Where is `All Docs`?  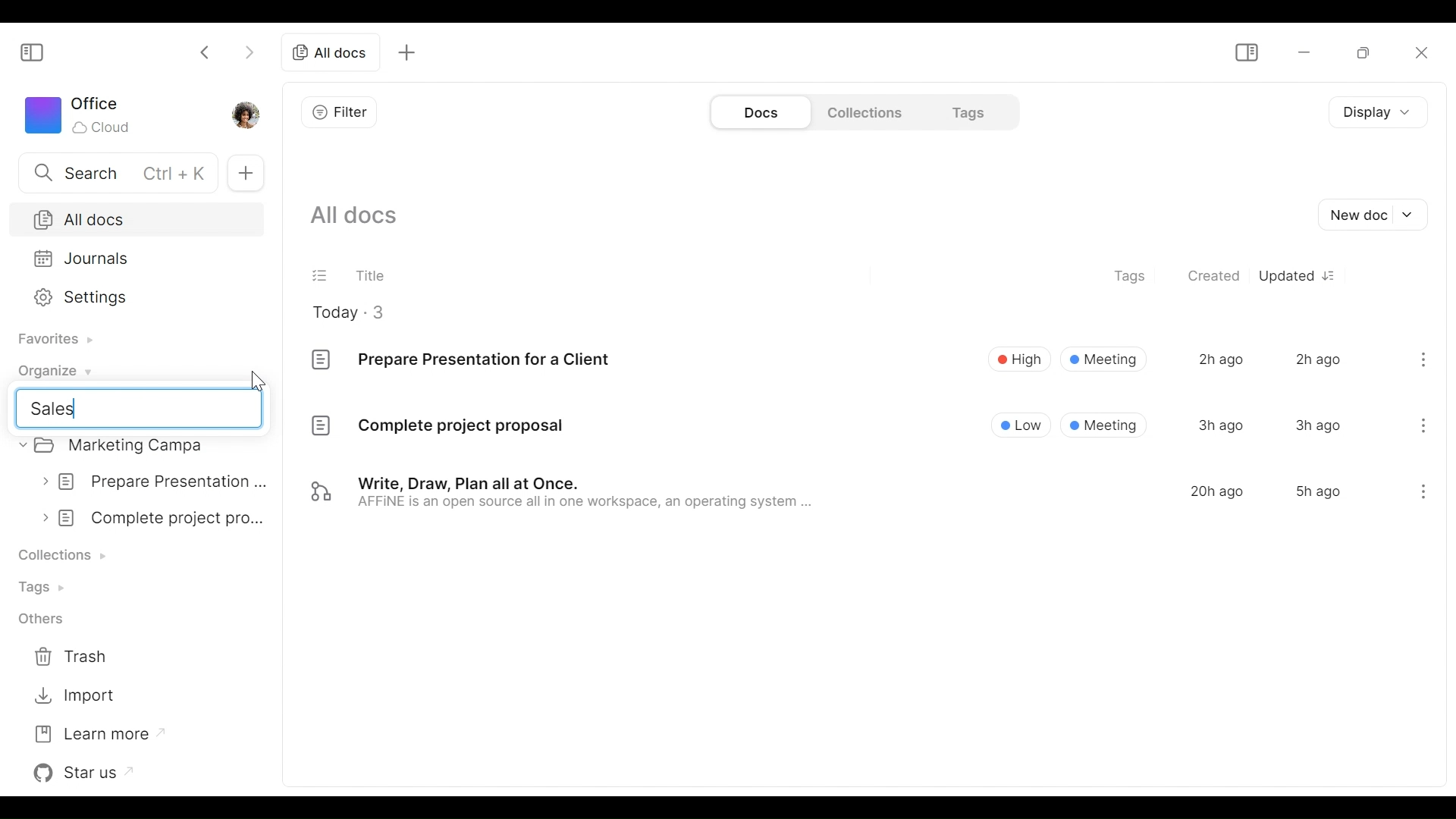
All Docs is located at coordinates (134, 219).